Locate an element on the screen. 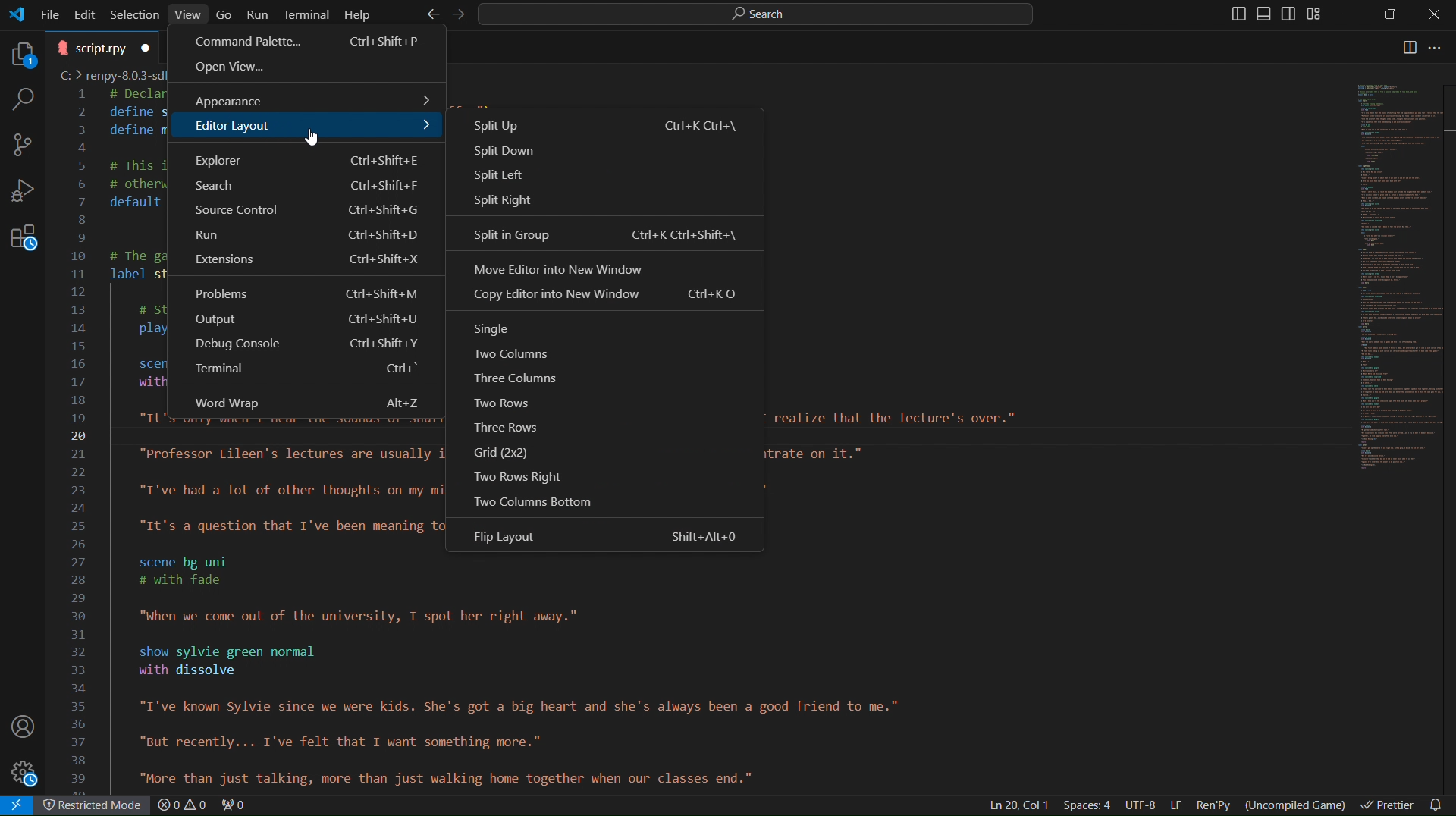  Spaces 4 is located at coordinates (1090, 805).